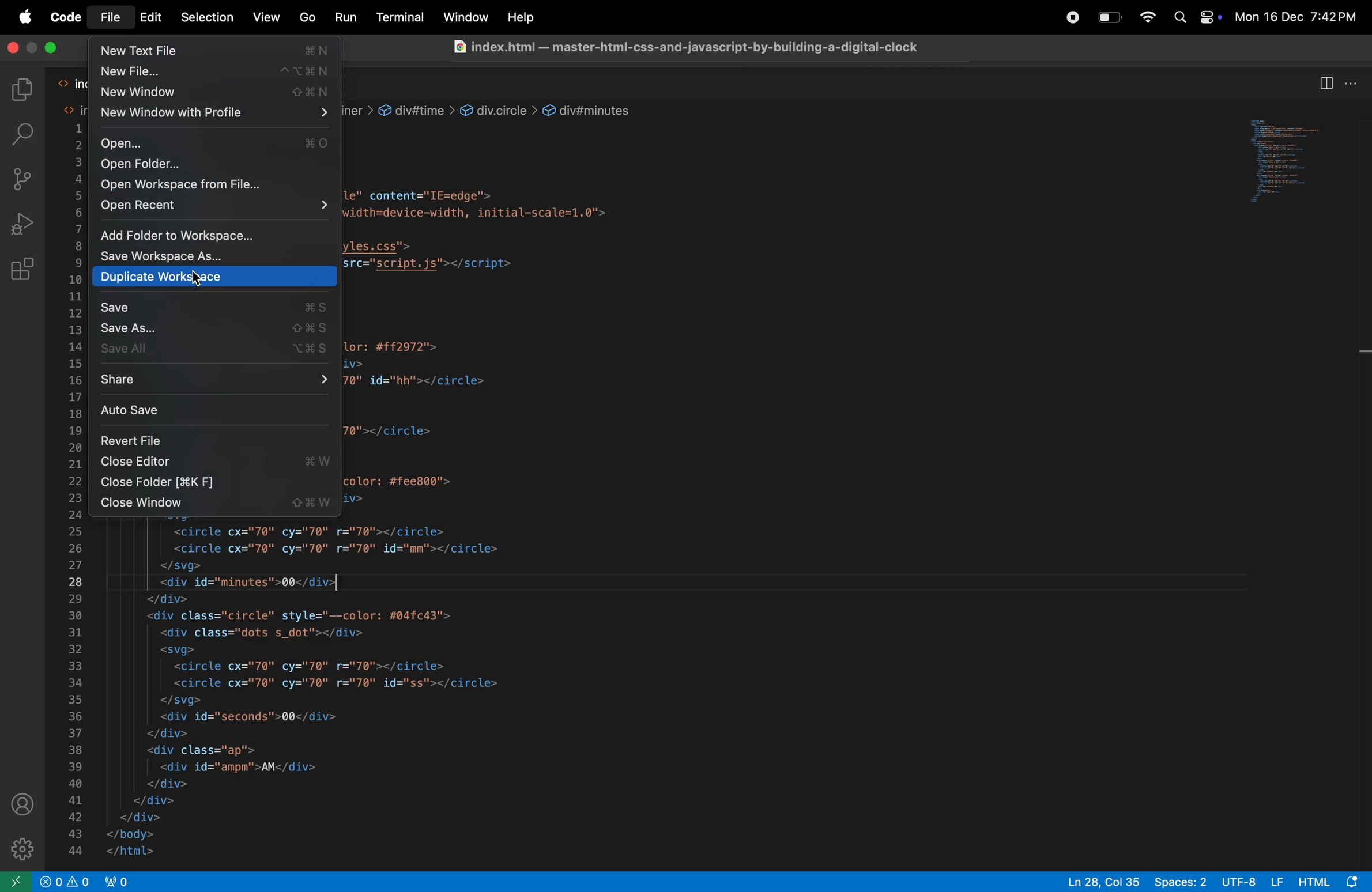  Describe the element at coordinates (212, 114) in the screenshot. I see `new window with profile` at that location.